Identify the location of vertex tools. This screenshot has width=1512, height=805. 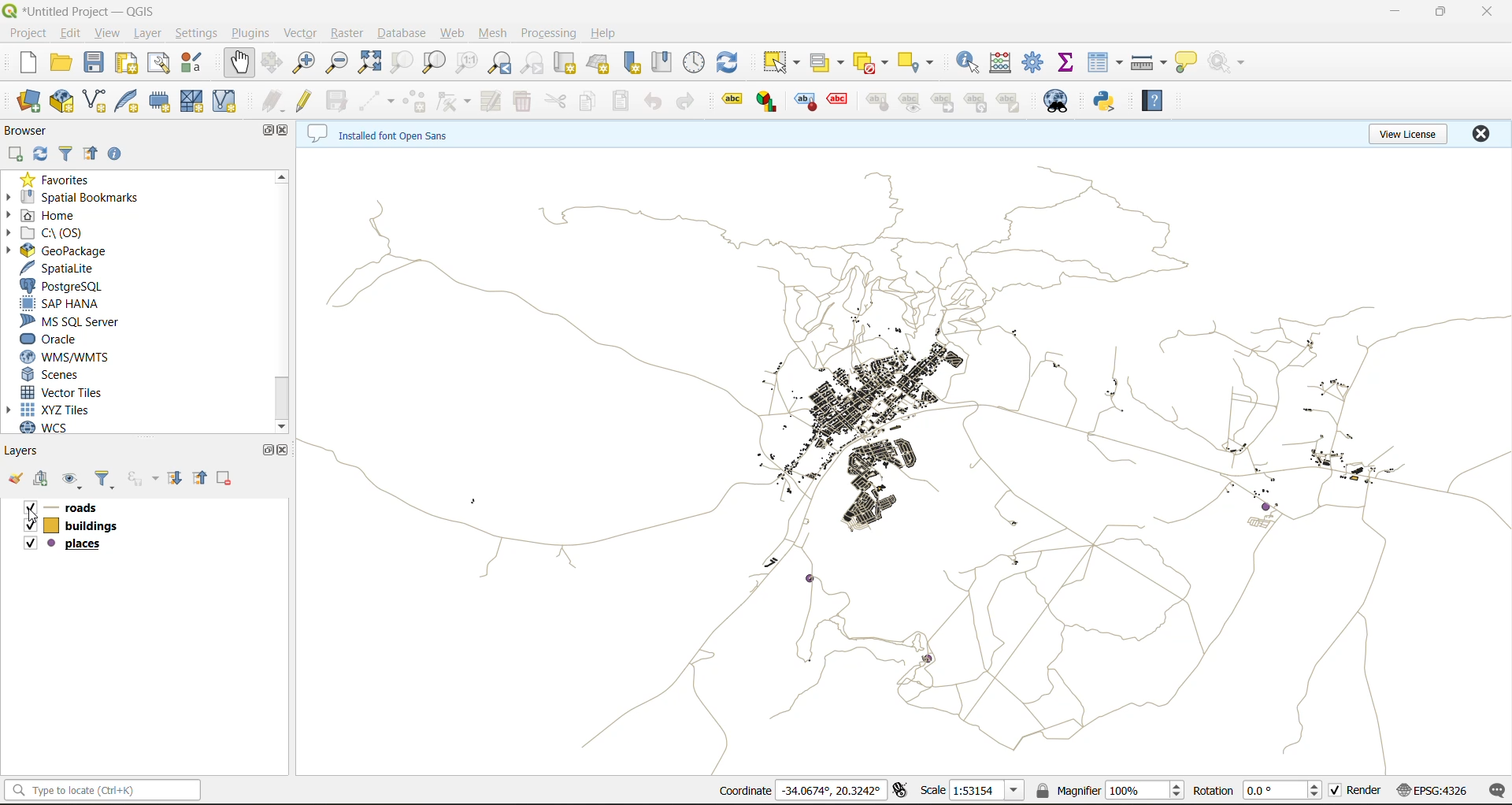
(454, 101).